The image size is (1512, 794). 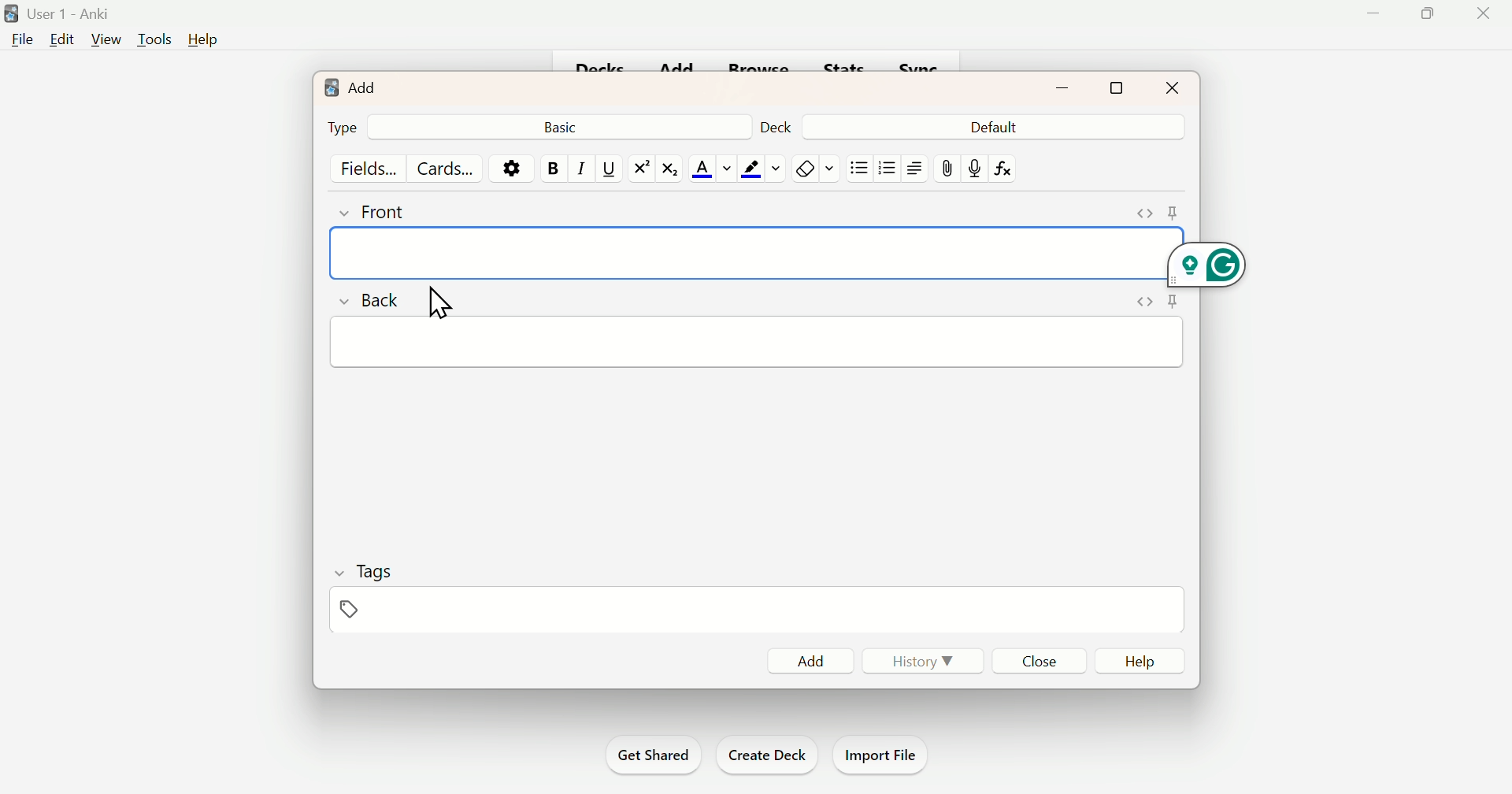 What do you see at coordinates (387, 216) in the screenshot?
I see `Front` at bounding box center [387, 216].